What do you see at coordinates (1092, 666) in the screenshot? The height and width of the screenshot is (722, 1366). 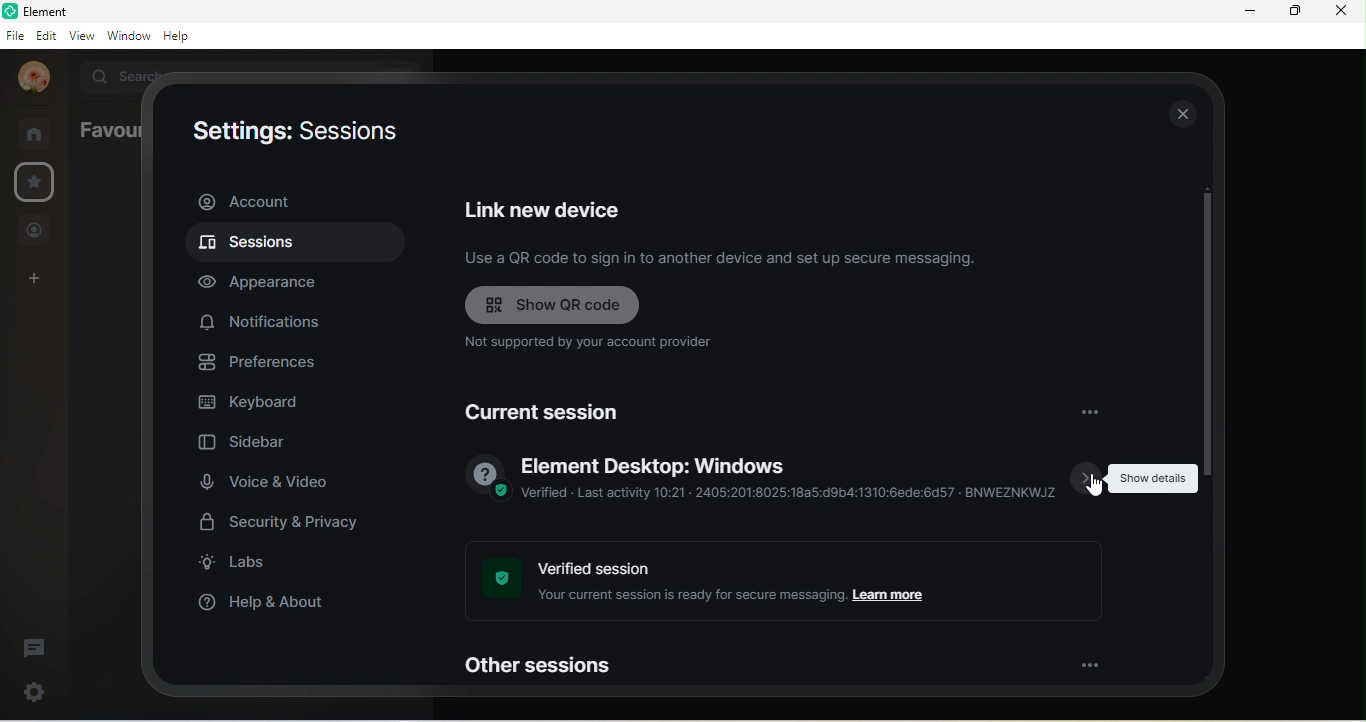 I see `option` at bounding box center [1092, 666].